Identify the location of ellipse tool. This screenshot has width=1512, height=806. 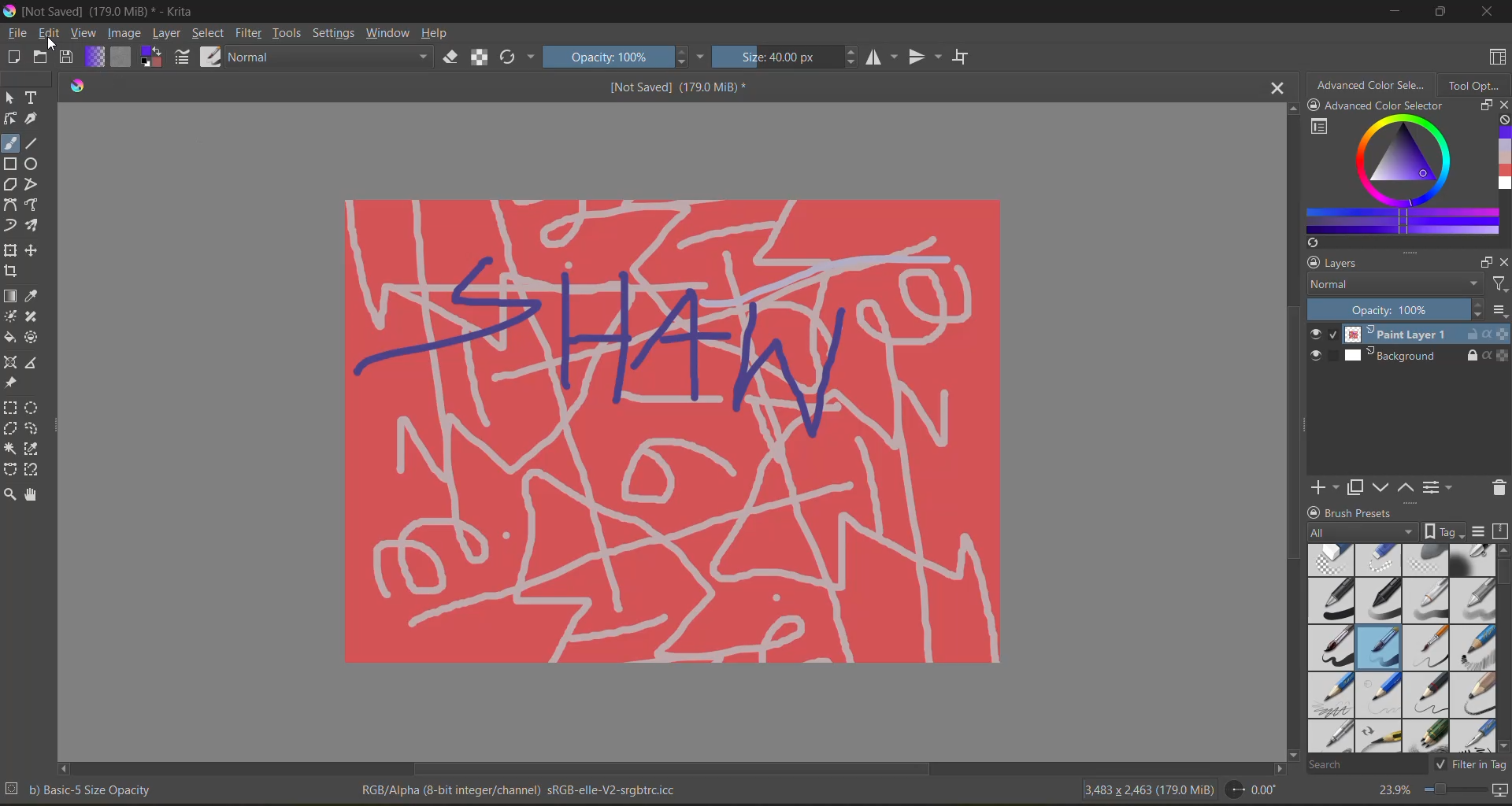
(33, 165).